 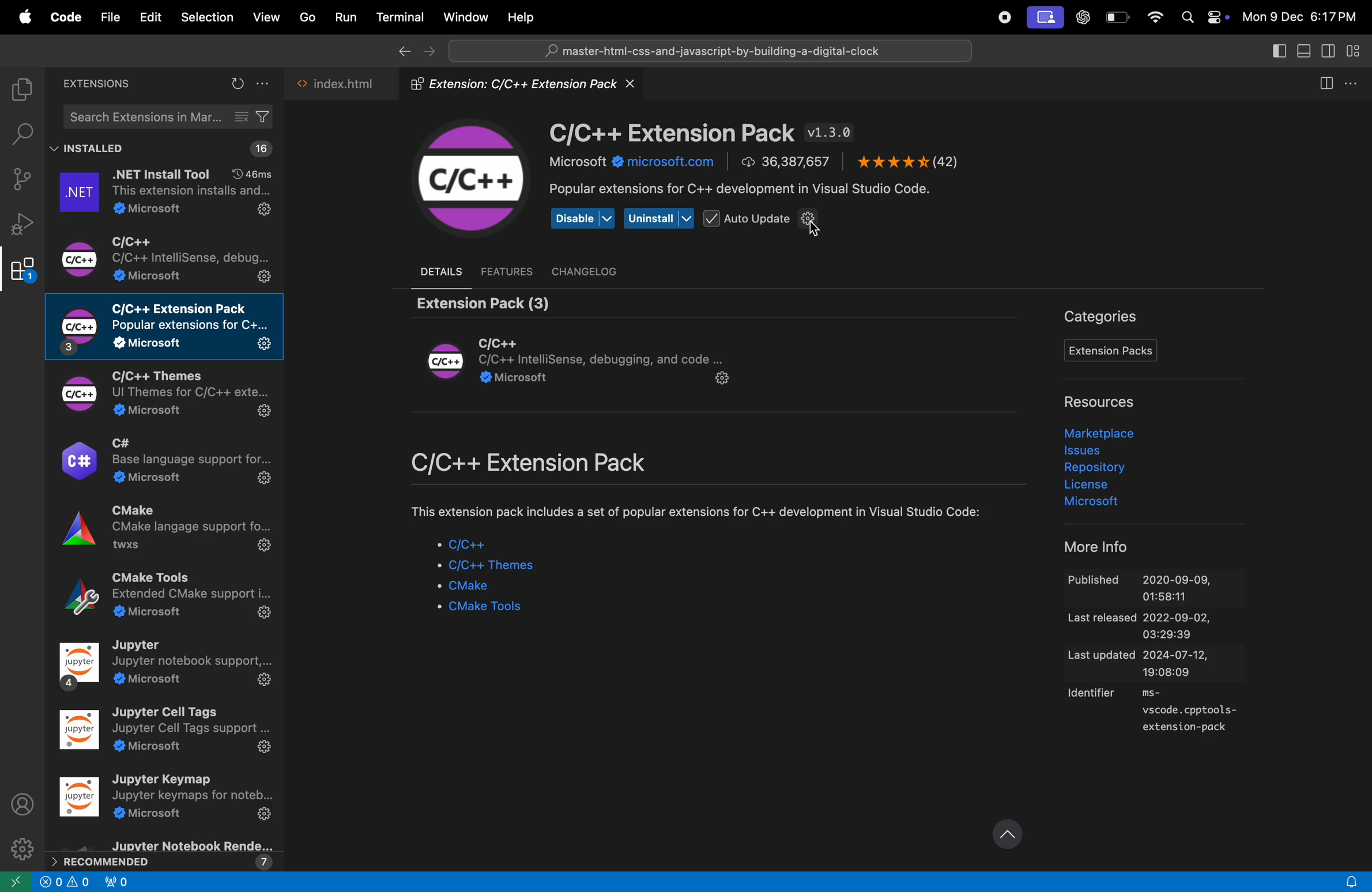 What do you see at coordinates (21, 132) in the screenshot?
I see `search bar` at bounding box center [21, 132].